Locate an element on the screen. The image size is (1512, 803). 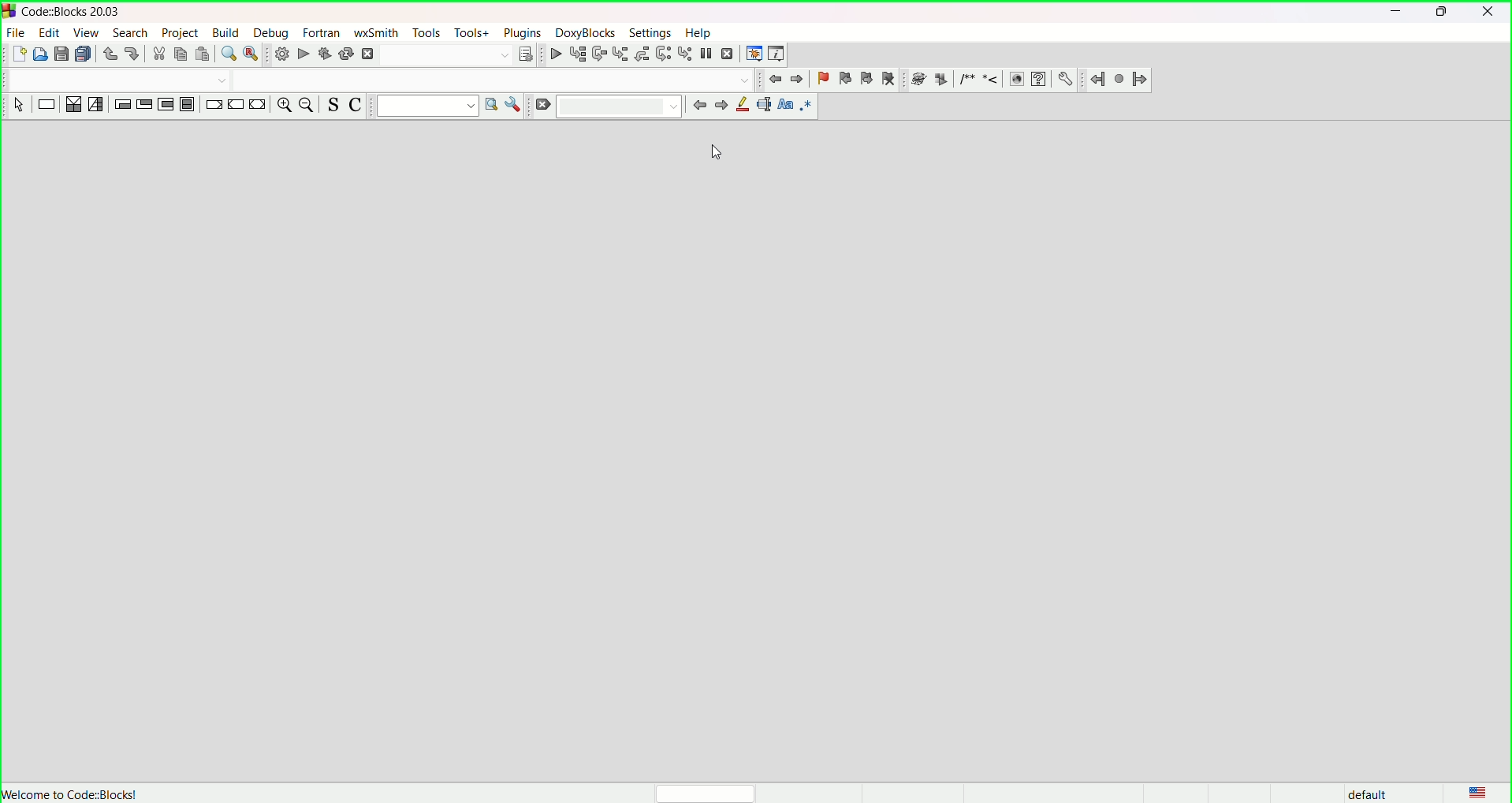
return instruction is located at coordinates (258, 104).